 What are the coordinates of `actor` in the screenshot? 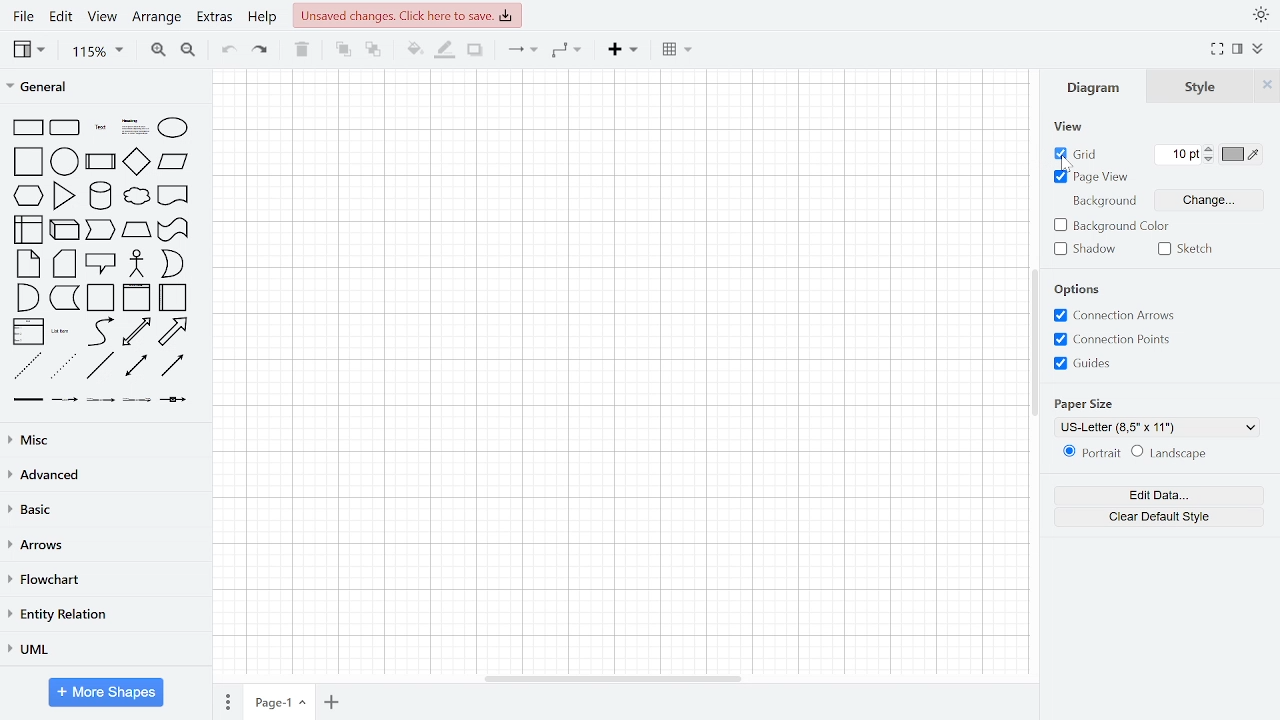 It's located at (139, 263).